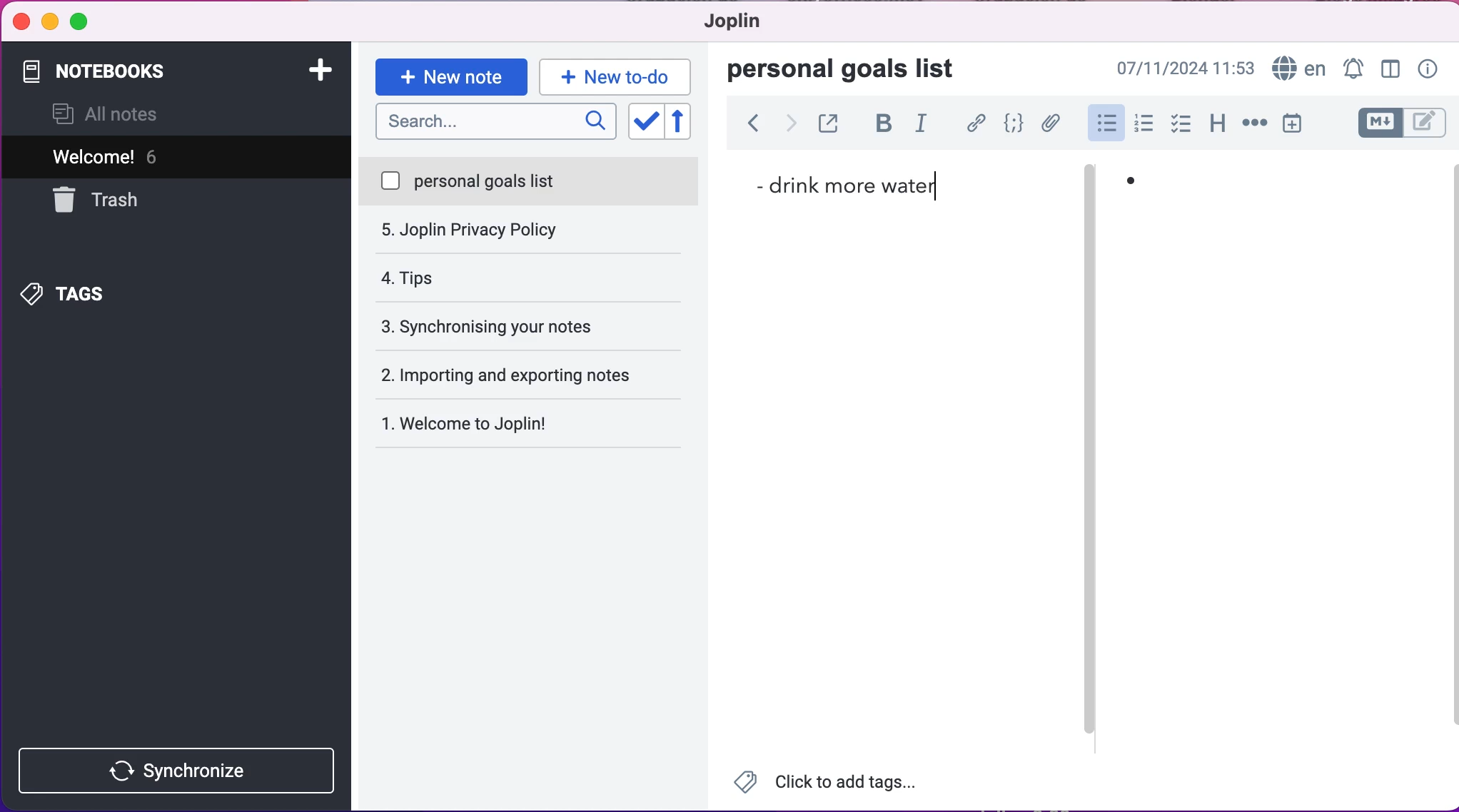  Describe the element at coordinates (141, 71) in the screenshot. I see `notebooks` at that location.